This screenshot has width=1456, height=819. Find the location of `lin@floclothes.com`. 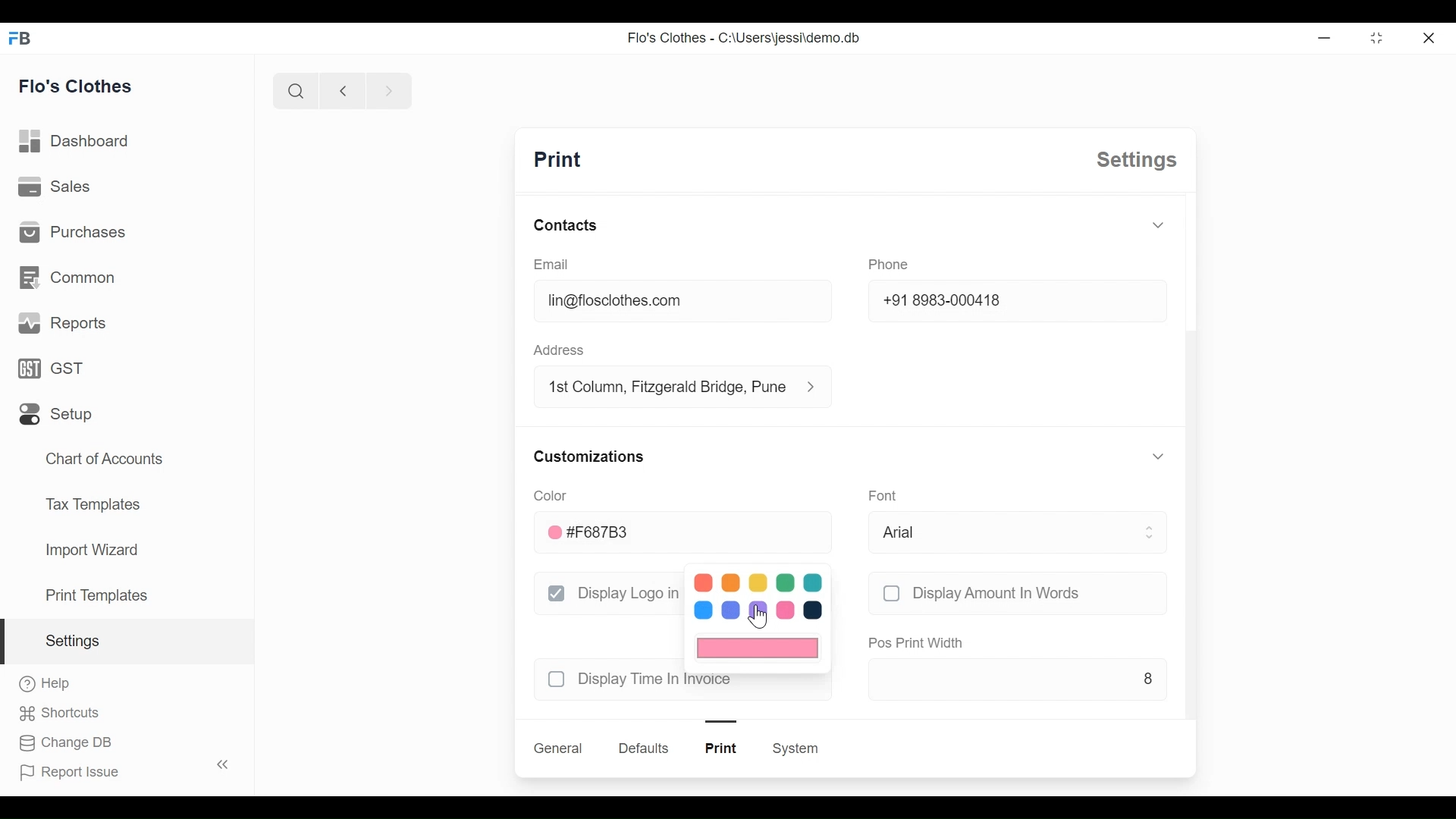

lin@floclothes.com is located at coordinates (684, 300).